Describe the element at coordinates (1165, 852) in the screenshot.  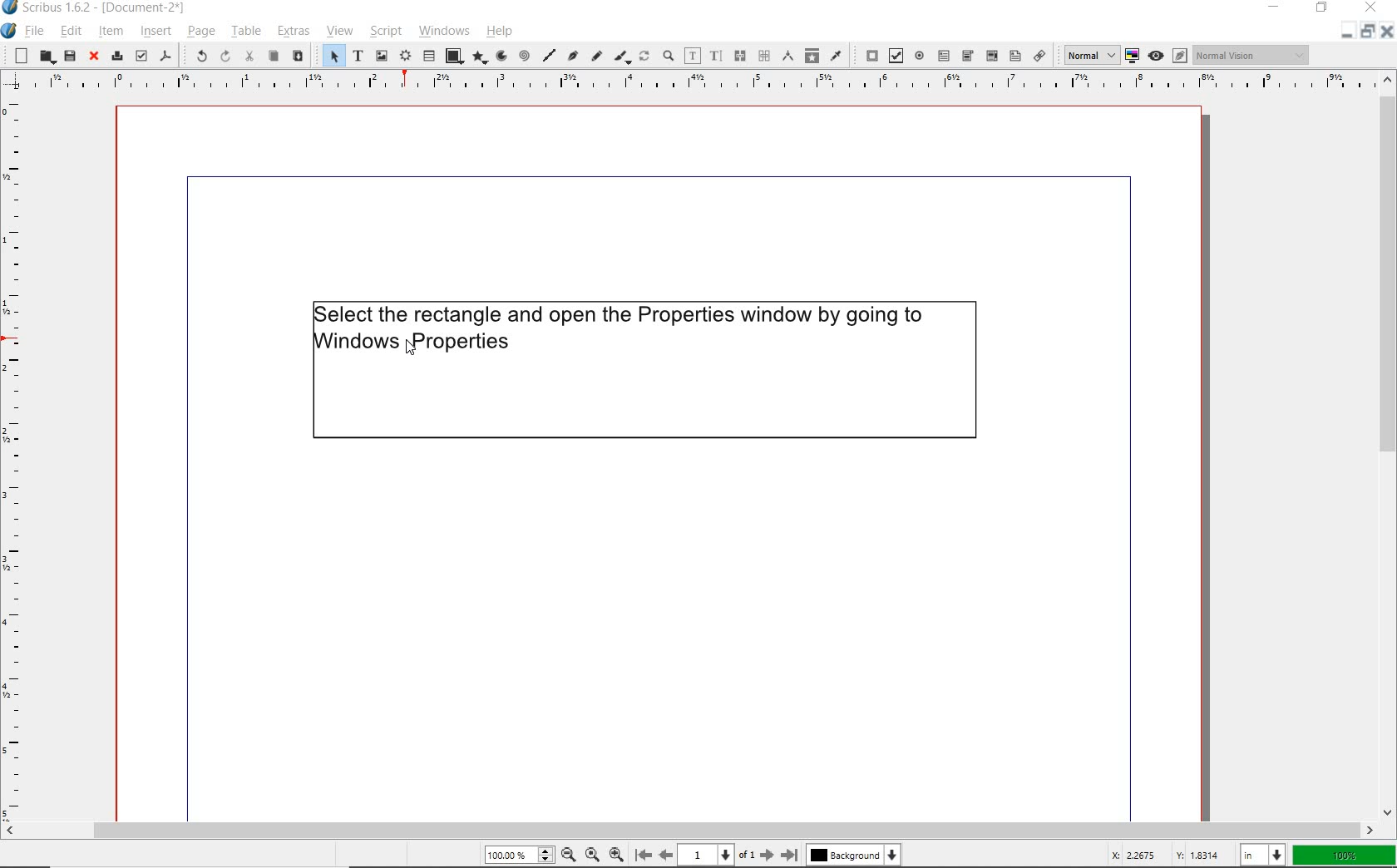
I see `X 22675 Y: 18314` at that location.